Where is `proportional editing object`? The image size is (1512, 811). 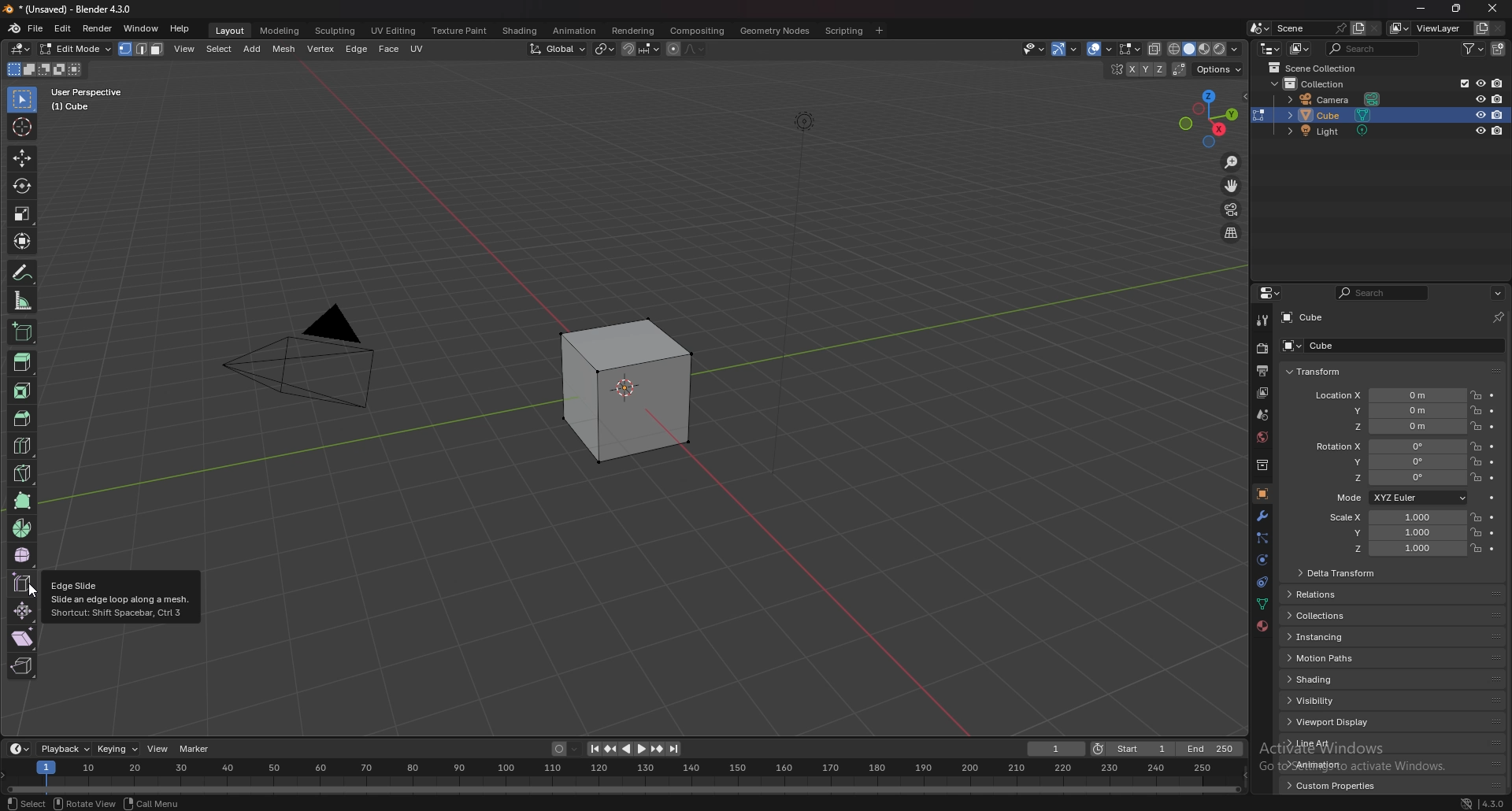 proportional editing object is located at coordinates (674, 50).